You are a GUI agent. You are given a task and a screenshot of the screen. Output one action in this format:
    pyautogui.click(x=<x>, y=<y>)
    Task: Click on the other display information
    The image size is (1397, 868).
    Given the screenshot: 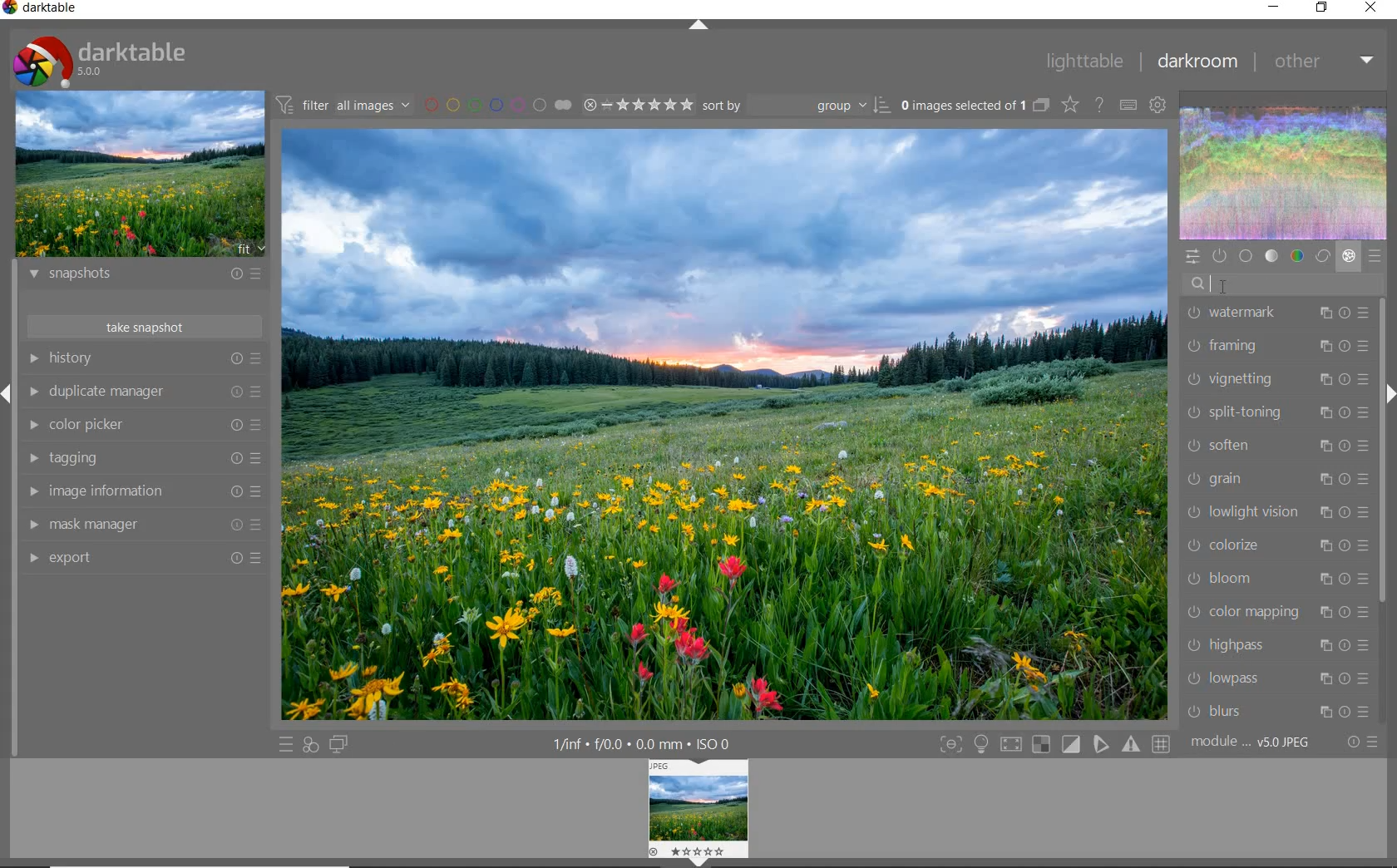 What is the action you would take?
    pyautogui.click(x=644, y=744)
    